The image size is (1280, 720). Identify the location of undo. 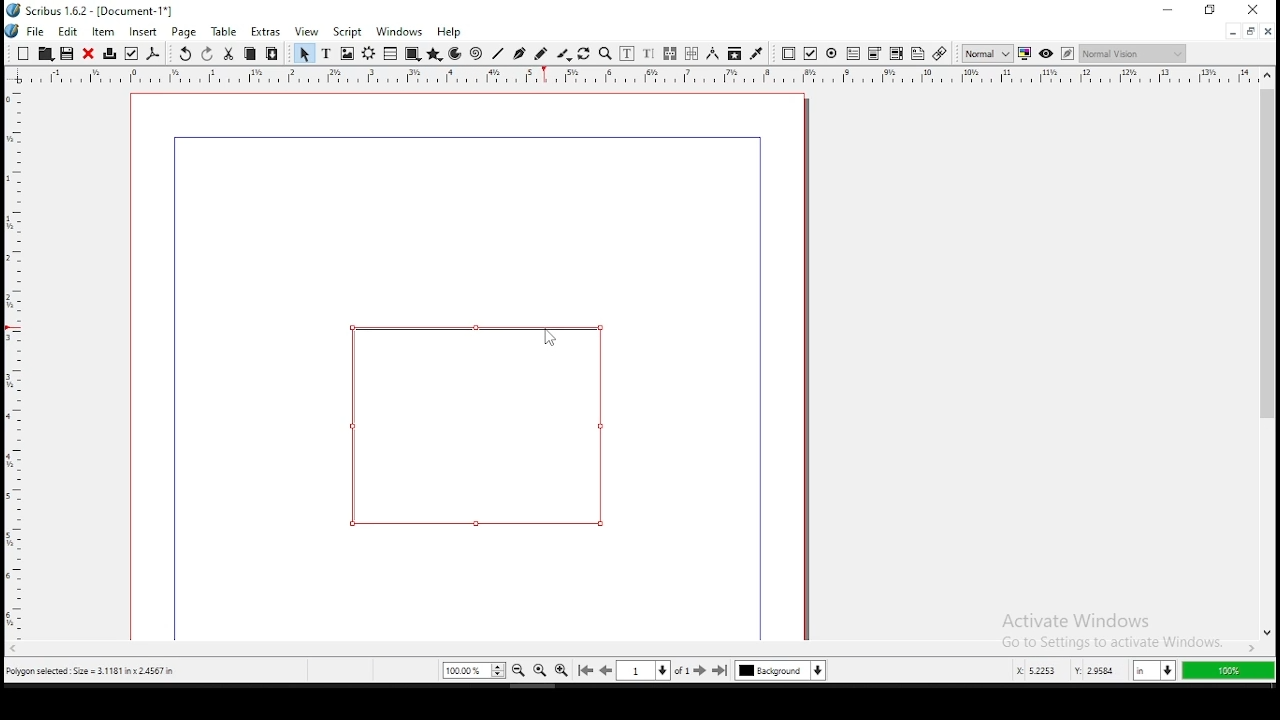
(184, 54).